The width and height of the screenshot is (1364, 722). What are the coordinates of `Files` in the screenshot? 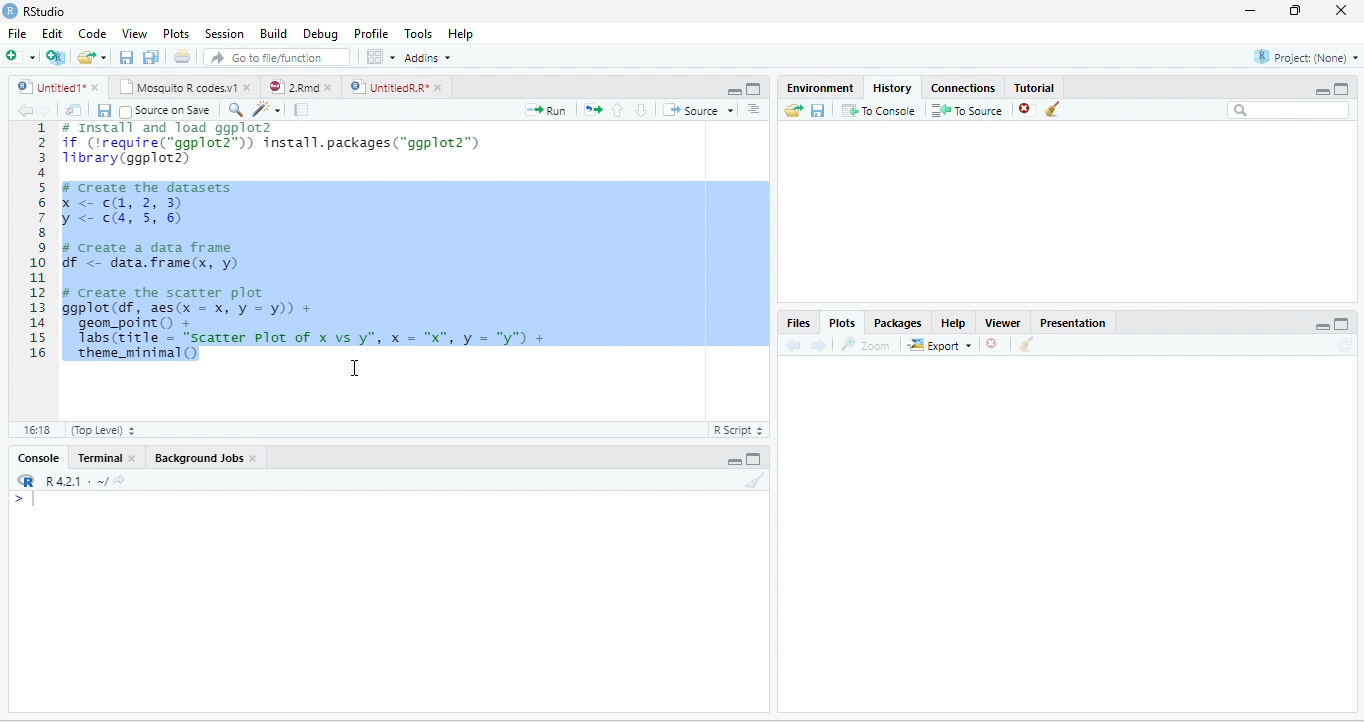 It's located at (798, 322).